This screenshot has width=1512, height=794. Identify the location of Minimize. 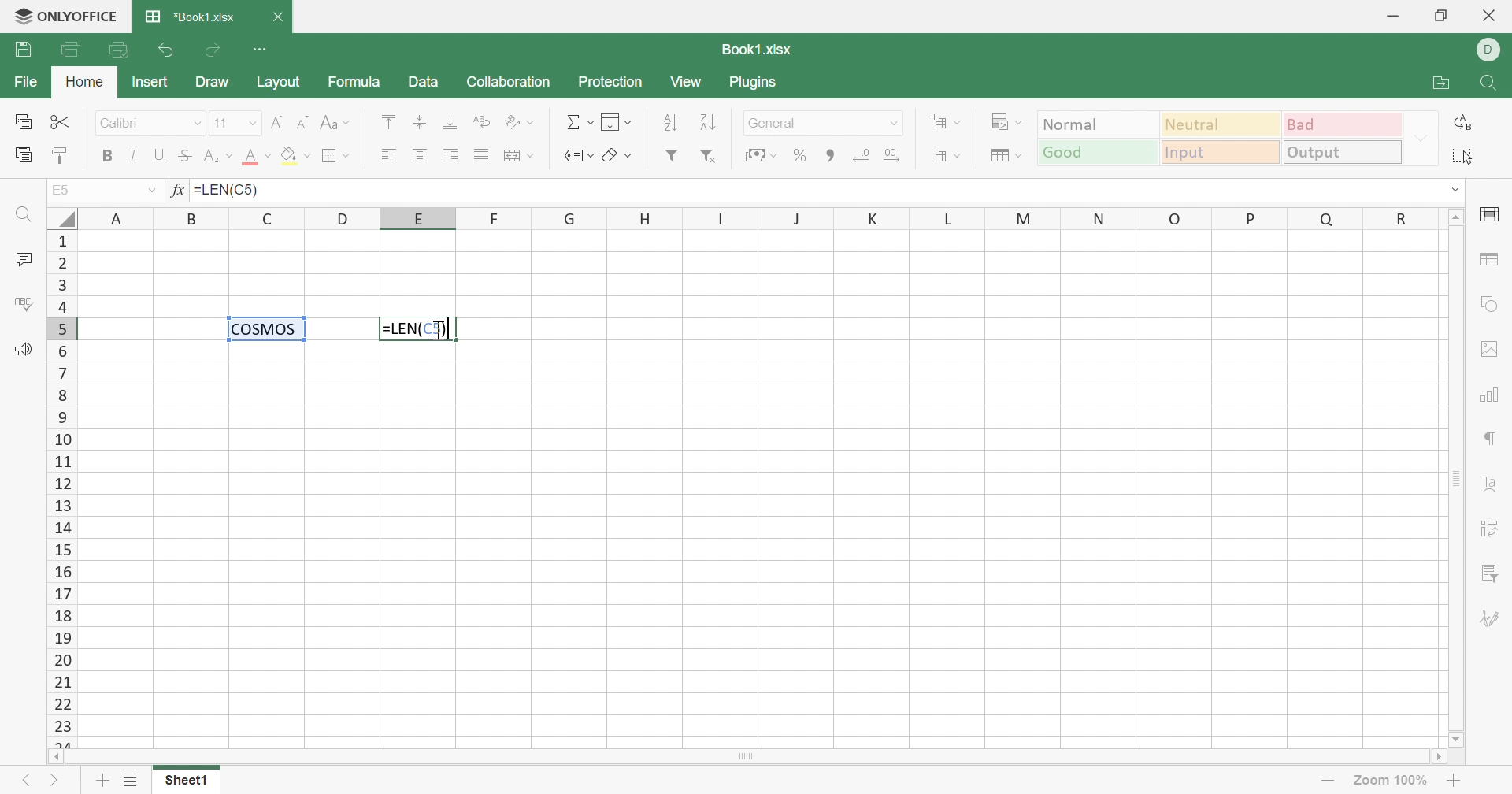
(1392, 17).